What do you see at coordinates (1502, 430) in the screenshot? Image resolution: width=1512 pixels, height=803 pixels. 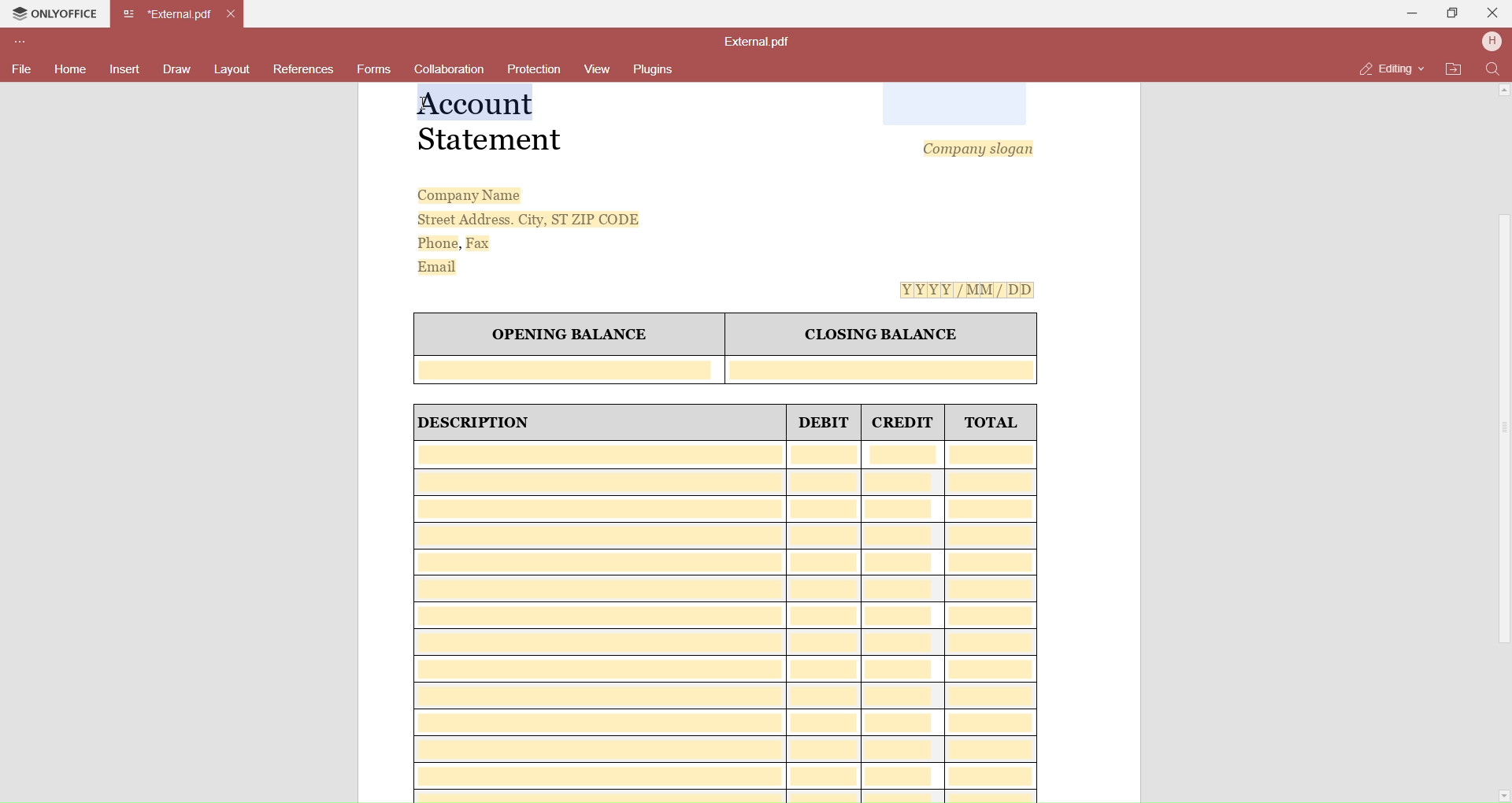 I see `Scroll Bar` at bounding box center [1502, 430].